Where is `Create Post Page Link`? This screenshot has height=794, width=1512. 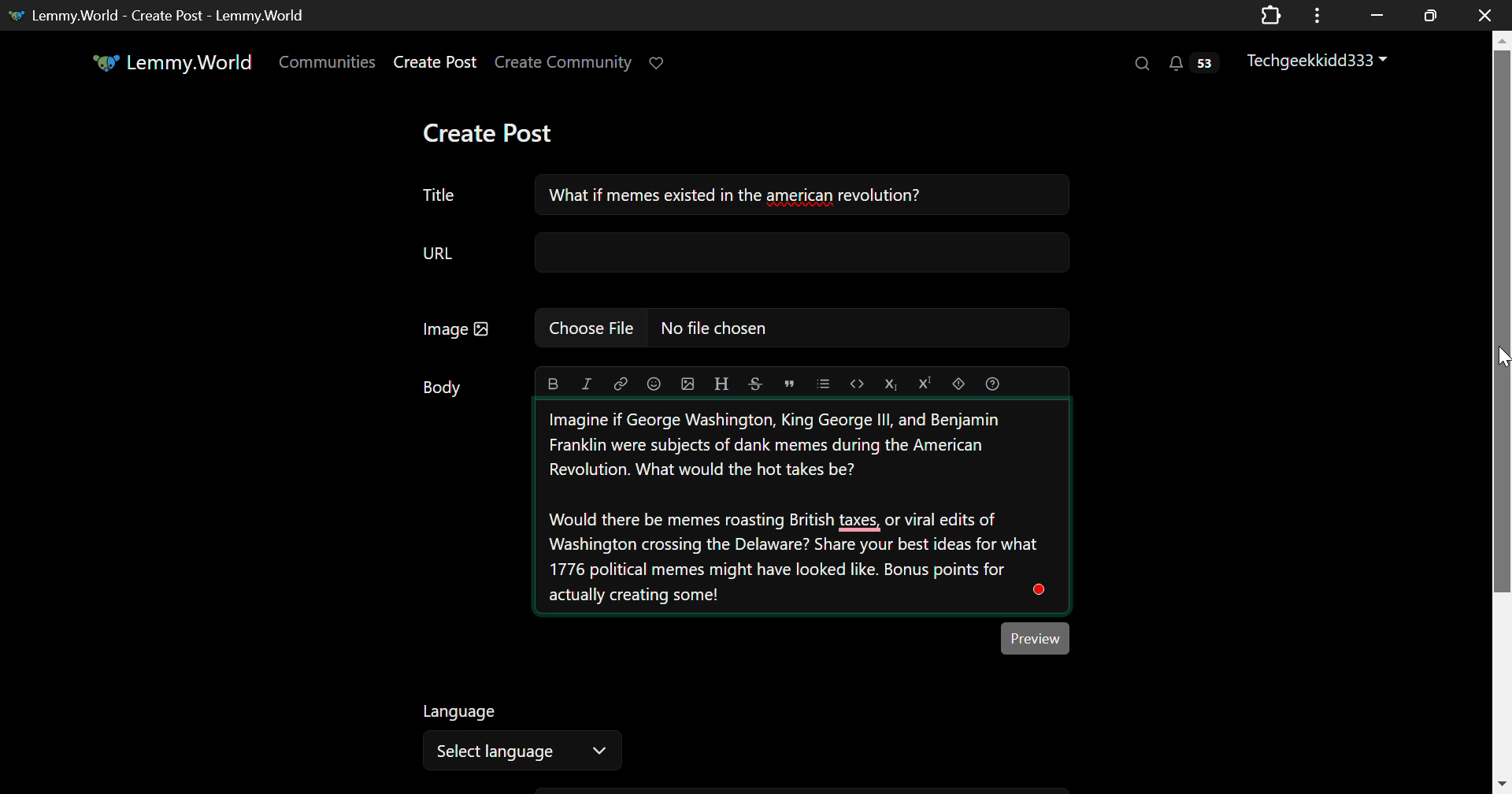
Create Post Page Link is located at coordinates (435, 63).